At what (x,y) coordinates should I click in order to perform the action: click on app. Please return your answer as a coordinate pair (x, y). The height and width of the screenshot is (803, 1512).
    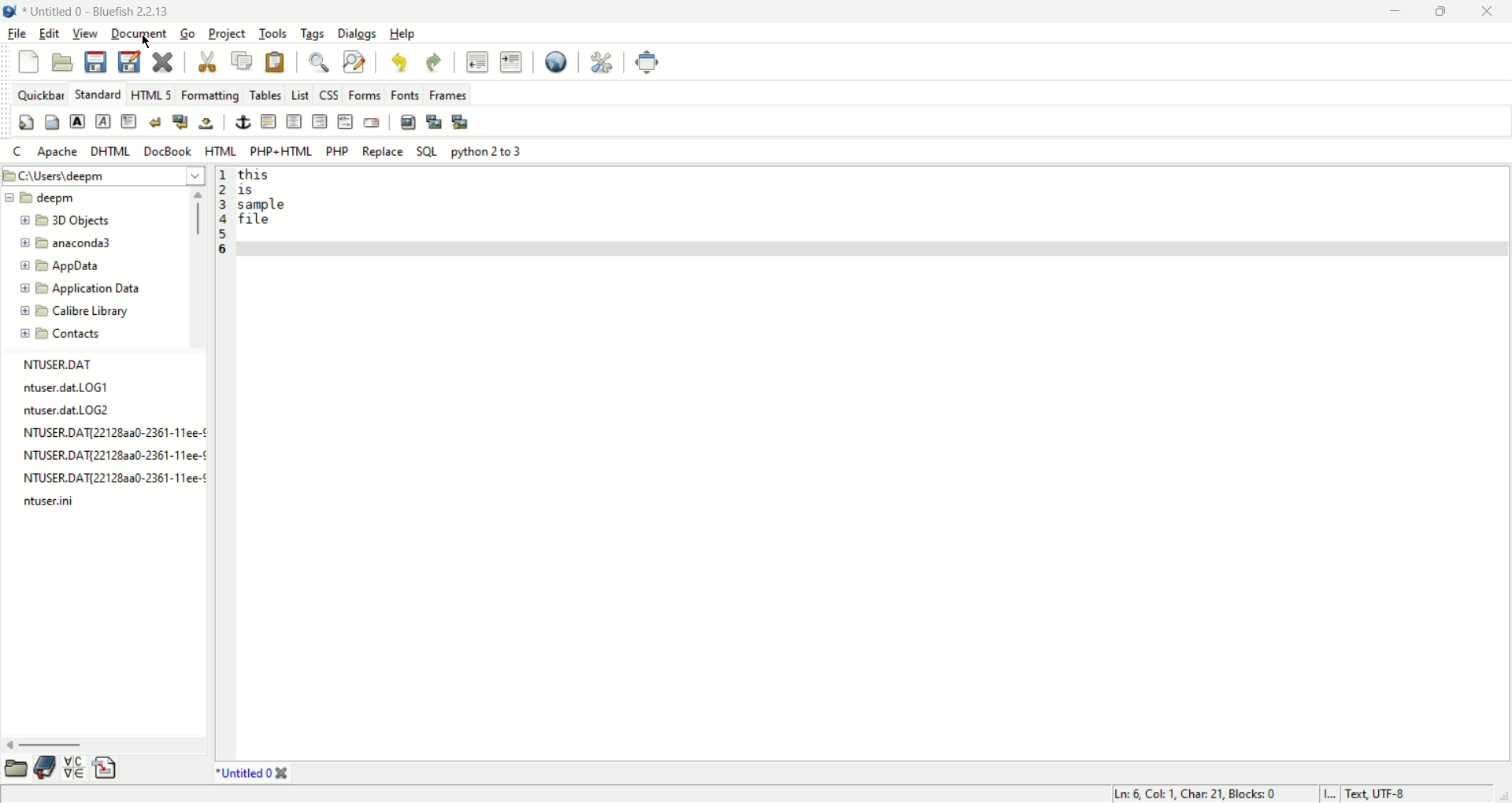
    Looking at the image, I should click on (62, 267).